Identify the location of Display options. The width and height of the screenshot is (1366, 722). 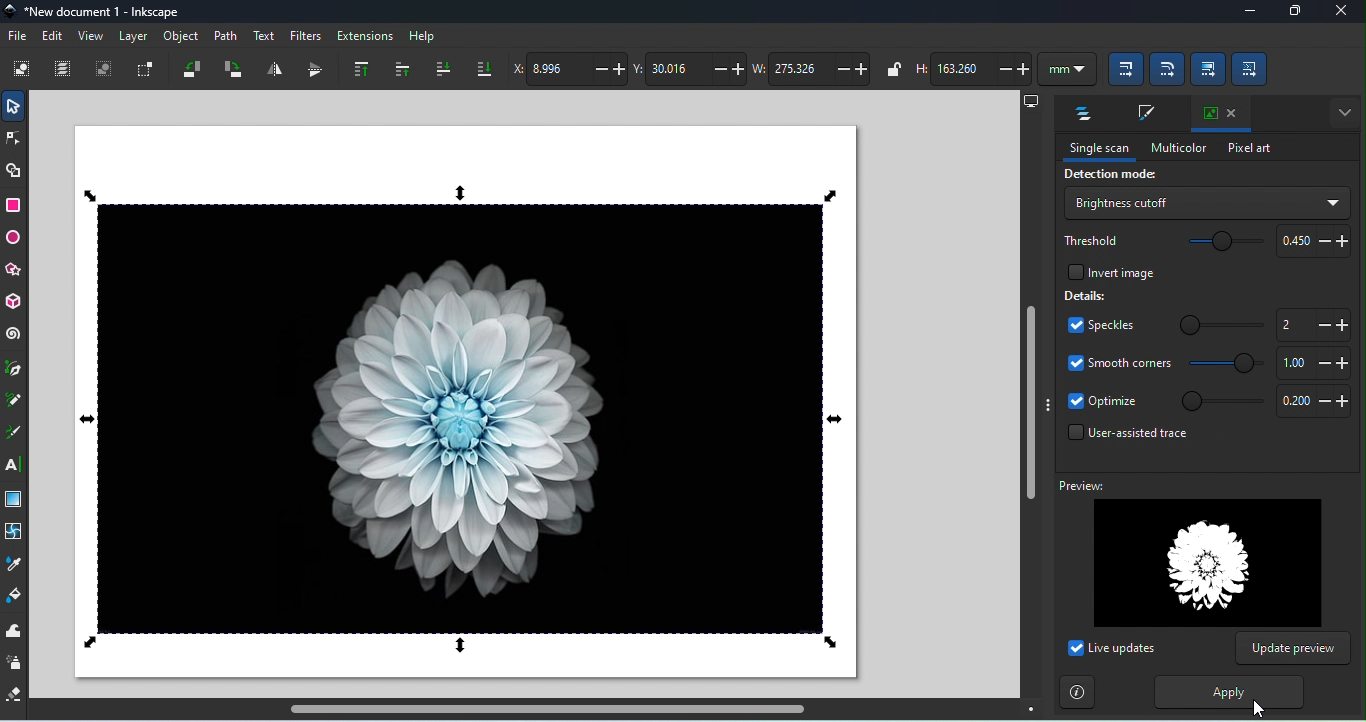
(1029, 101).